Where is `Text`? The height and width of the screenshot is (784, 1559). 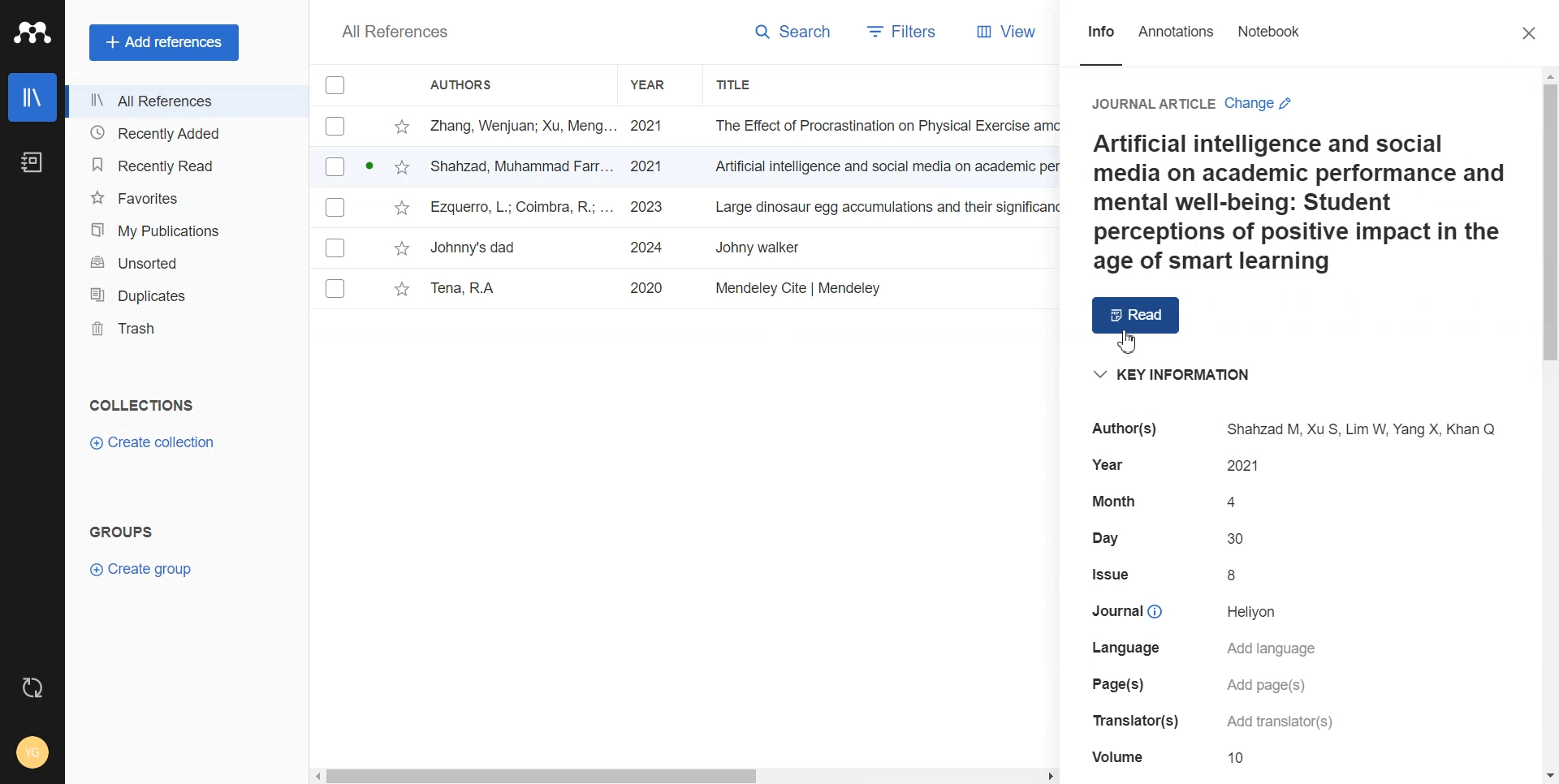 Text is located at coordinates (396, 32).